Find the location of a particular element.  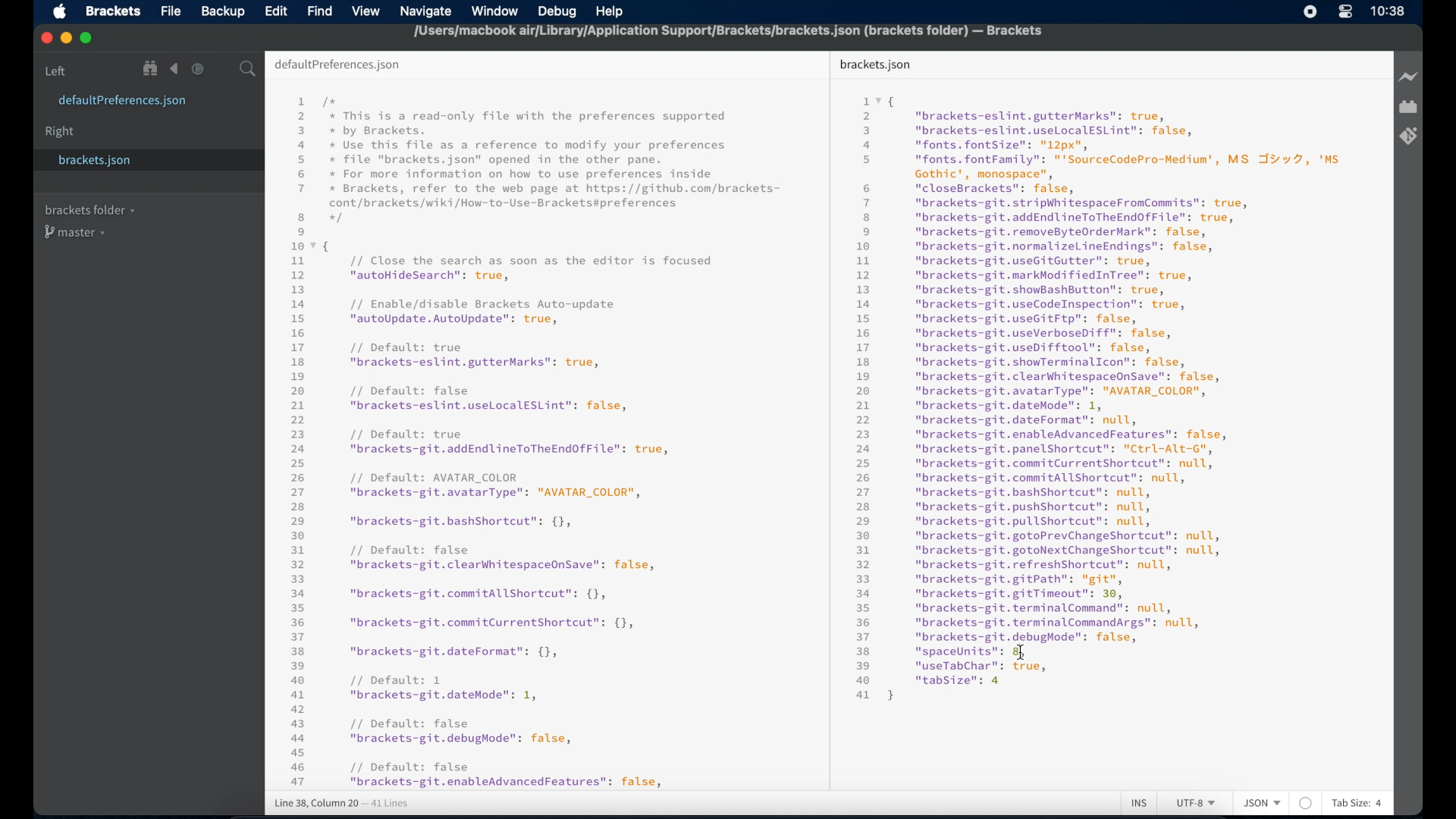

window is located at coordinates (495, 11).